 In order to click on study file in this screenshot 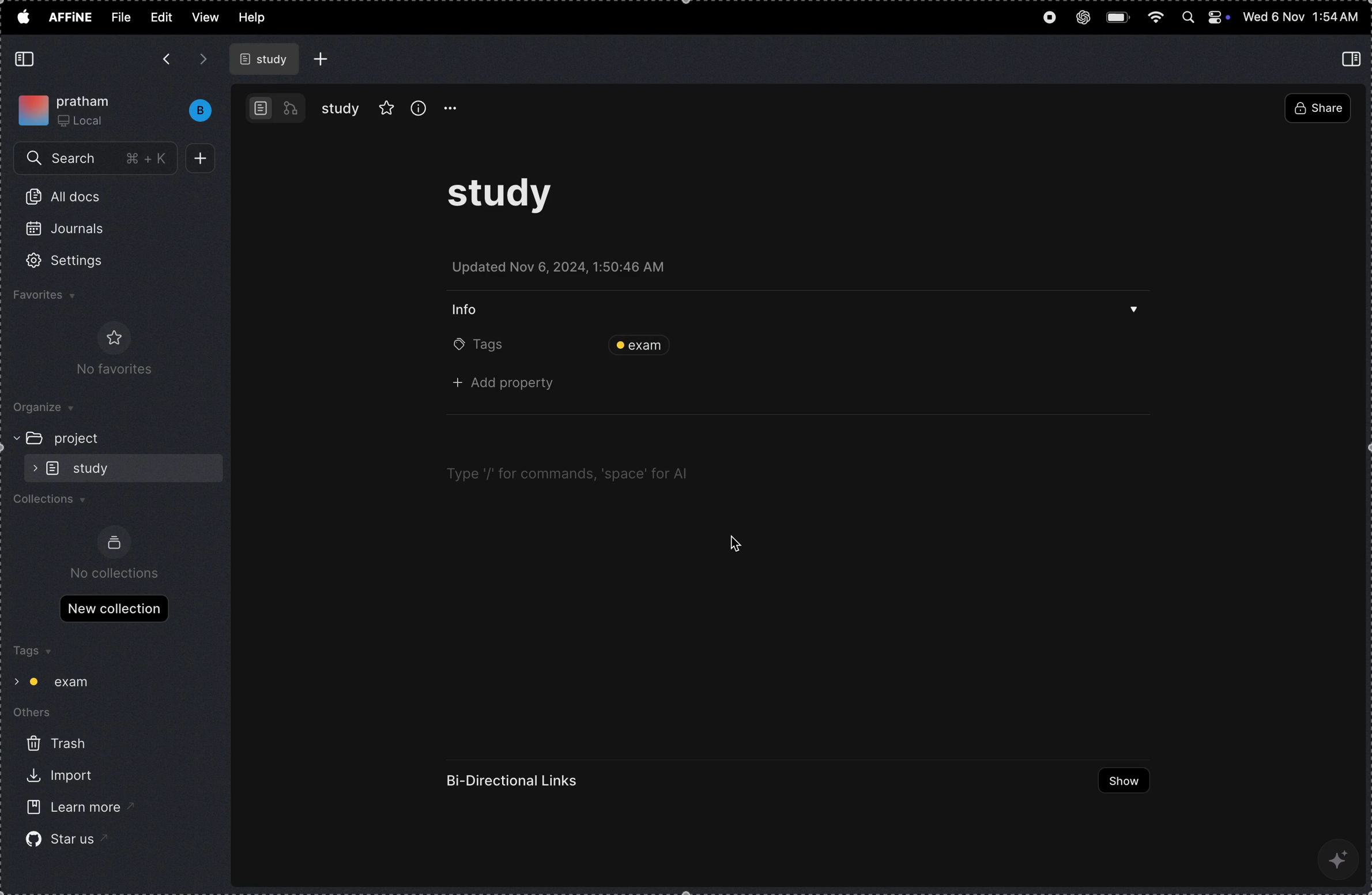, I will do `click(266, 59)`.